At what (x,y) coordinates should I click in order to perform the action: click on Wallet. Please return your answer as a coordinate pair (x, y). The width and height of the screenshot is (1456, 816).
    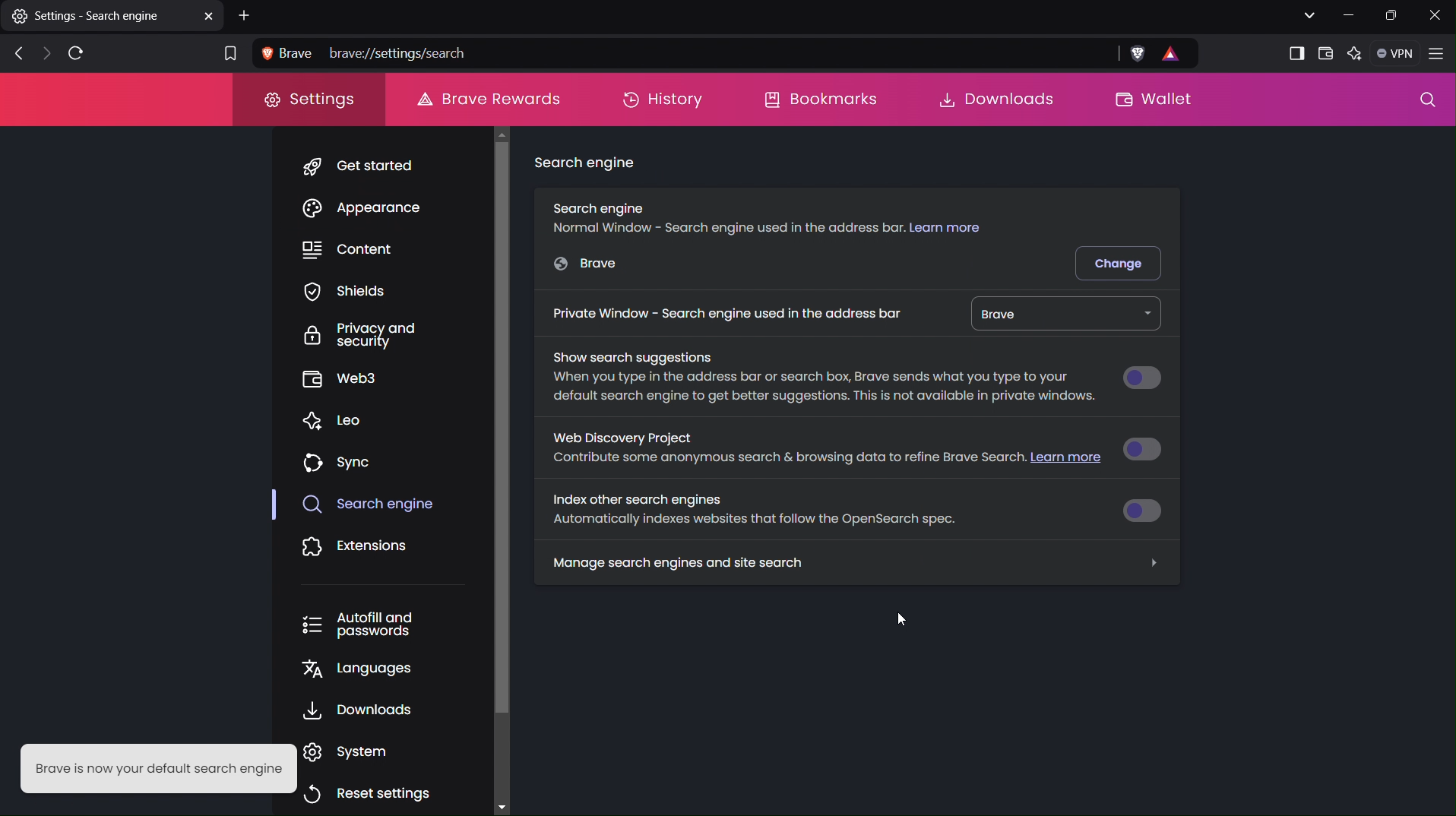
    Looking at the image, I should click on (1326, 53).